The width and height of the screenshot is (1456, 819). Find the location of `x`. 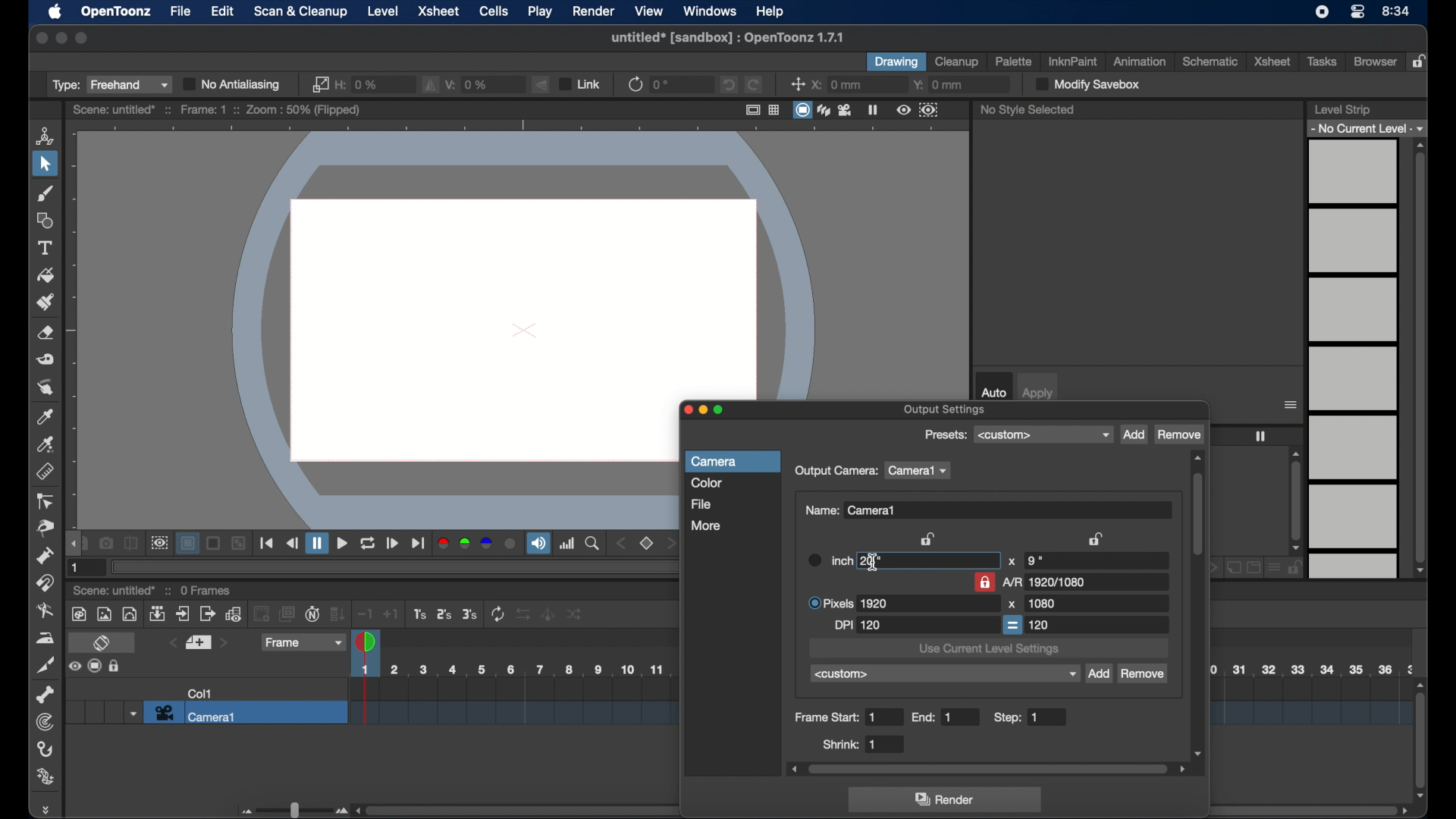

x is located at coordinates (836, 84).